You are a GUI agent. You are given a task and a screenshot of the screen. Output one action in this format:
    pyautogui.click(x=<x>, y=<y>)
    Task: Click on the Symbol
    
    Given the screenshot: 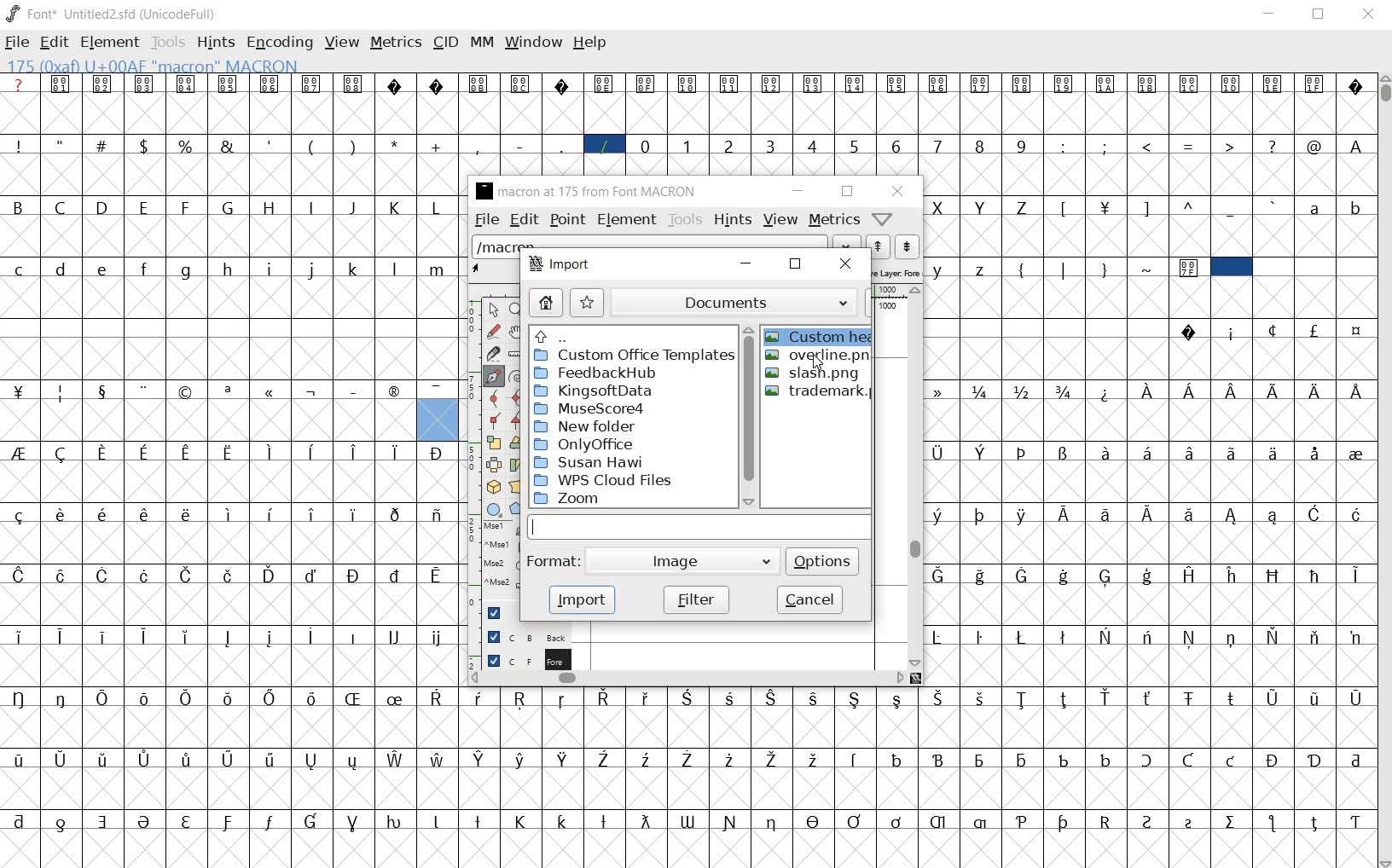 What is the action you would take?
    pyautogui.click(x=315, y=574)
    